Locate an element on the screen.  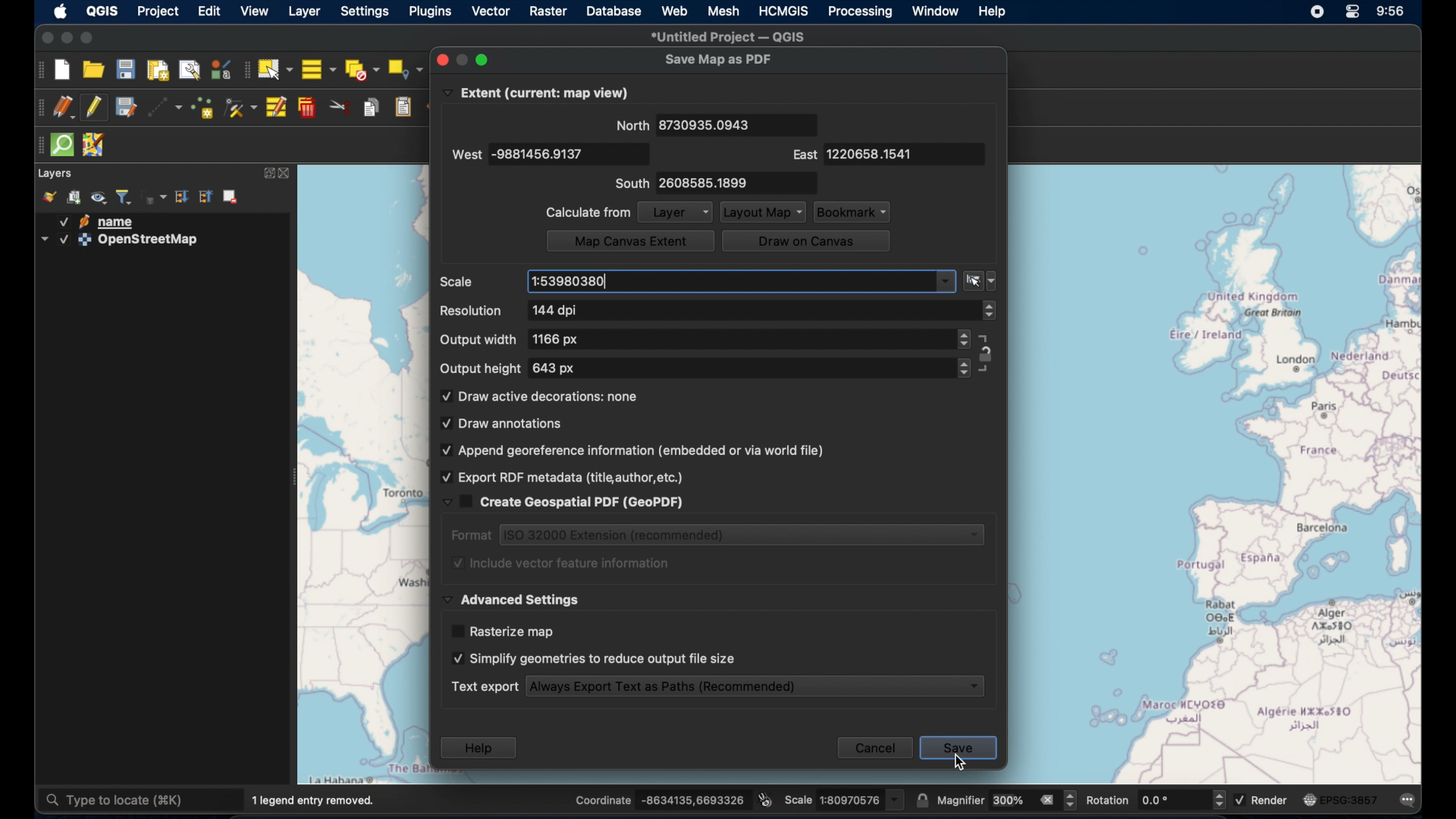
scale is located at coordinates (846, 799).